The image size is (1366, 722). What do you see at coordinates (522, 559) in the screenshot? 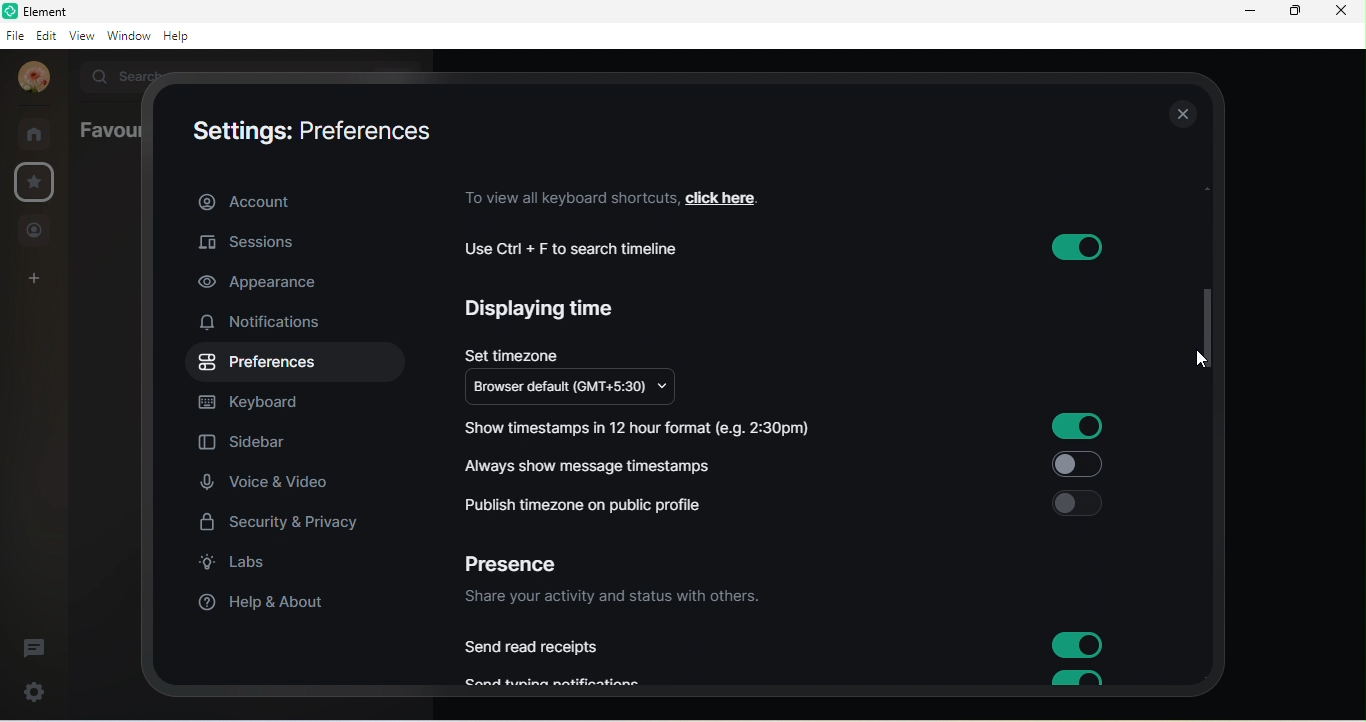
I see `presence` at bounding box center [522, 559].